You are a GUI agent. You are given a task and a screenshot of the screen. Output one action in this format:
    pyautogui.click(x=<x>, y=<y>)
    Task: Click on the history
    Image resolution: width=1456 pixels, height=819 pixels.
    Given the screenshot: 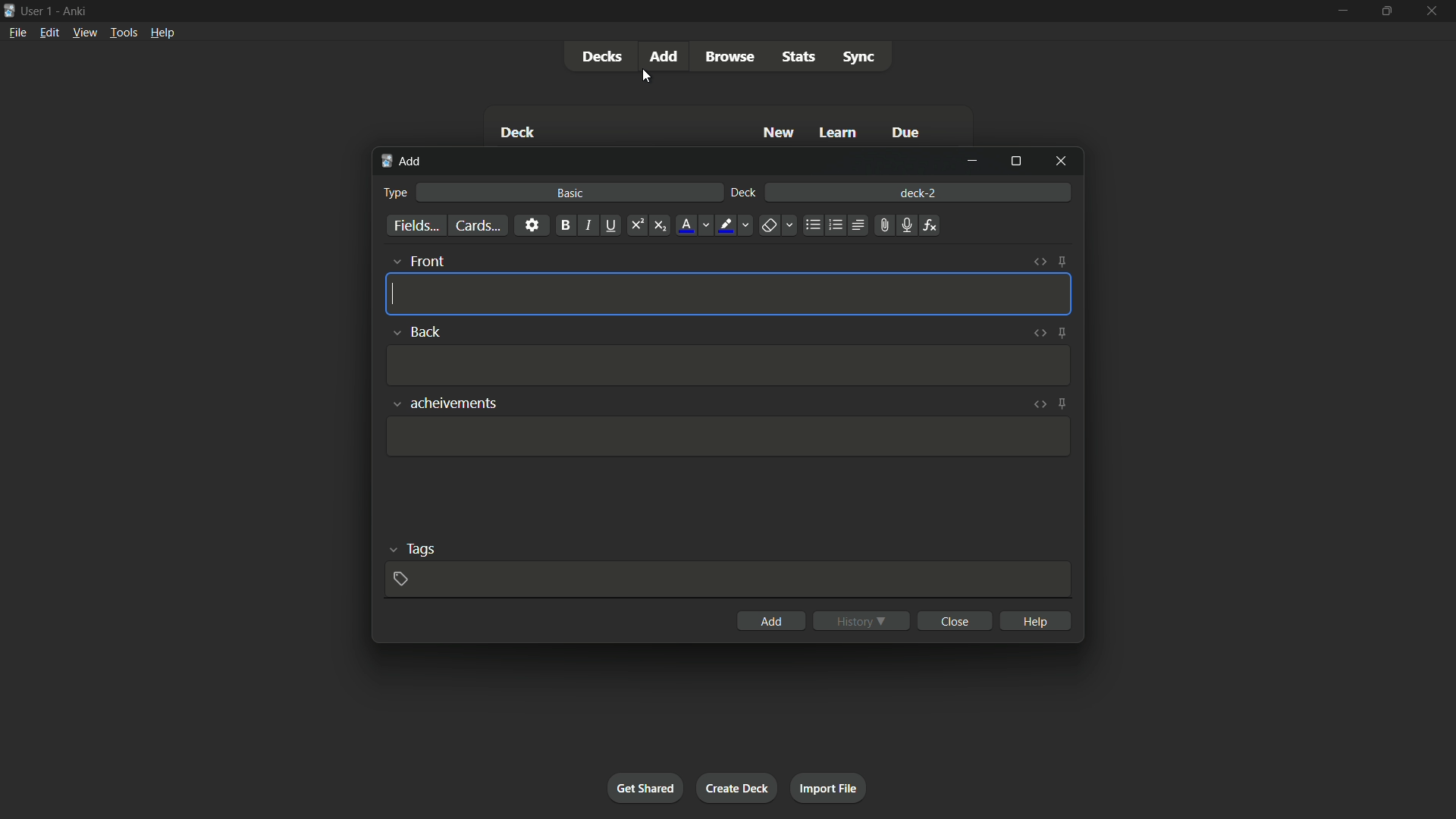 What is the action you would take?
    pyautogui.click(x=859, y=621)
    